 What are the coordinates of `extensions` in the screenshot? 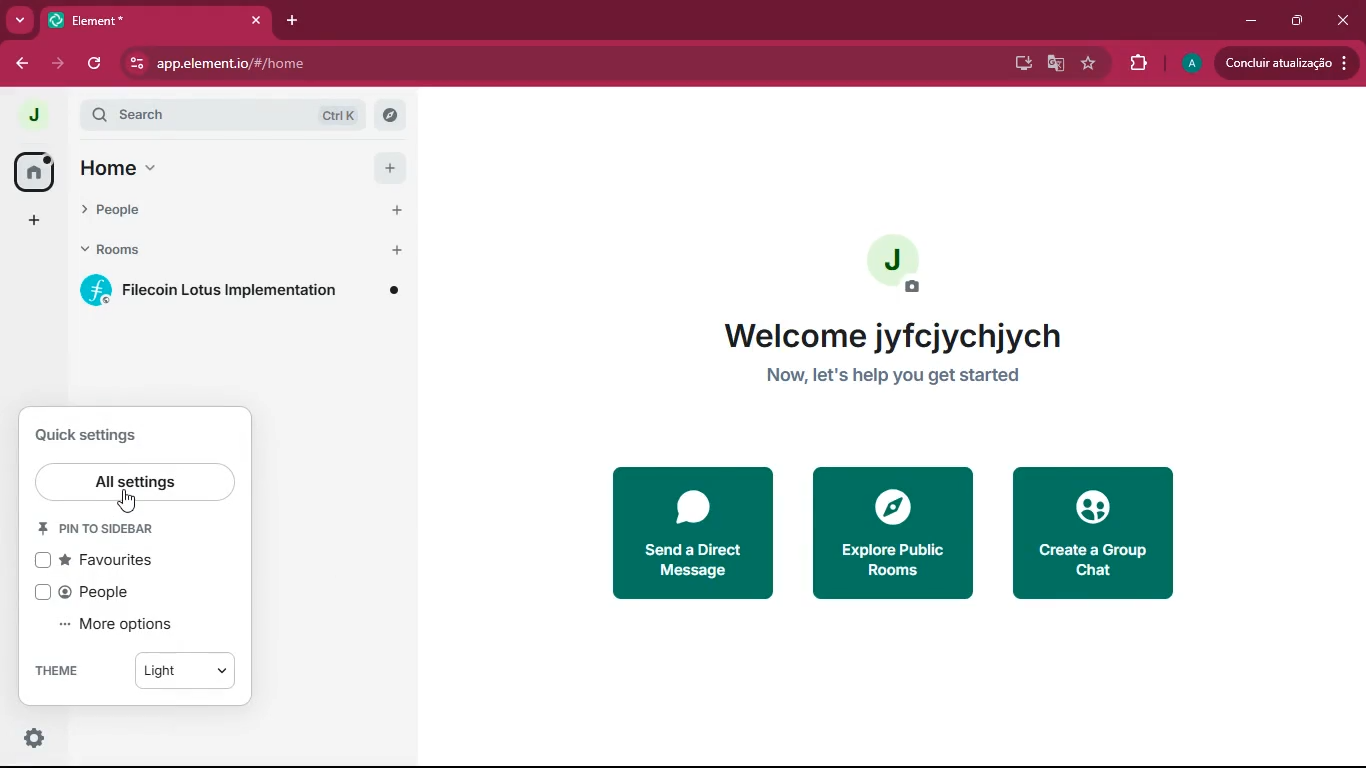 It's located at (1135, 64).